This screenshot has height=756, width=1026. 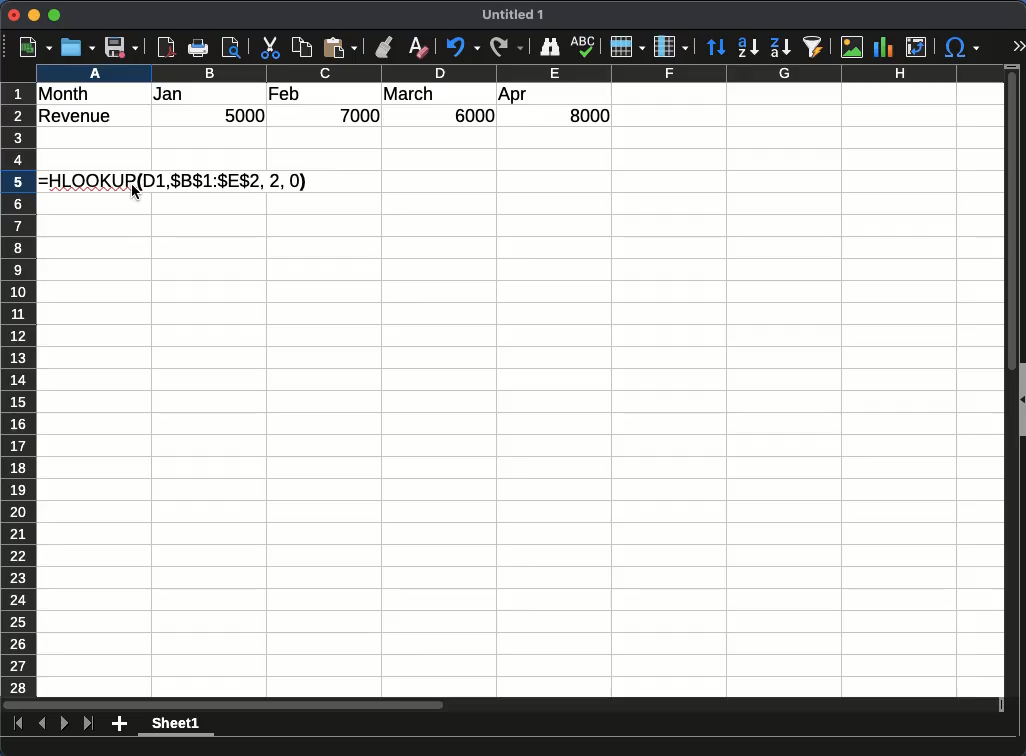 I want to click on maximize, so click(x=54, y=15).